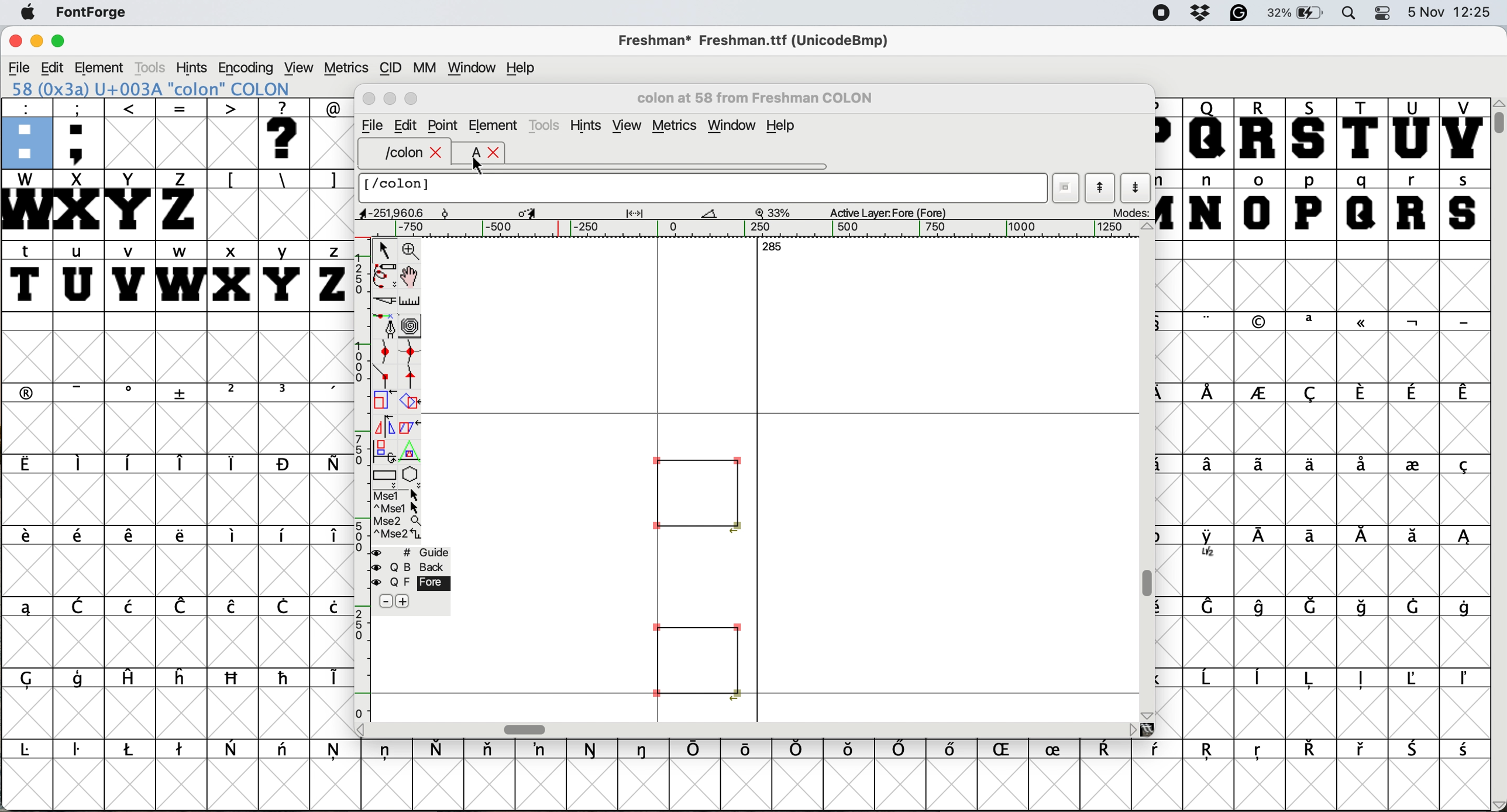 This screenshot has height=812, width=1507. What do you see at coordinates (408, 565) in the screenshot?
I see `back` at bounding box center [408, 565].